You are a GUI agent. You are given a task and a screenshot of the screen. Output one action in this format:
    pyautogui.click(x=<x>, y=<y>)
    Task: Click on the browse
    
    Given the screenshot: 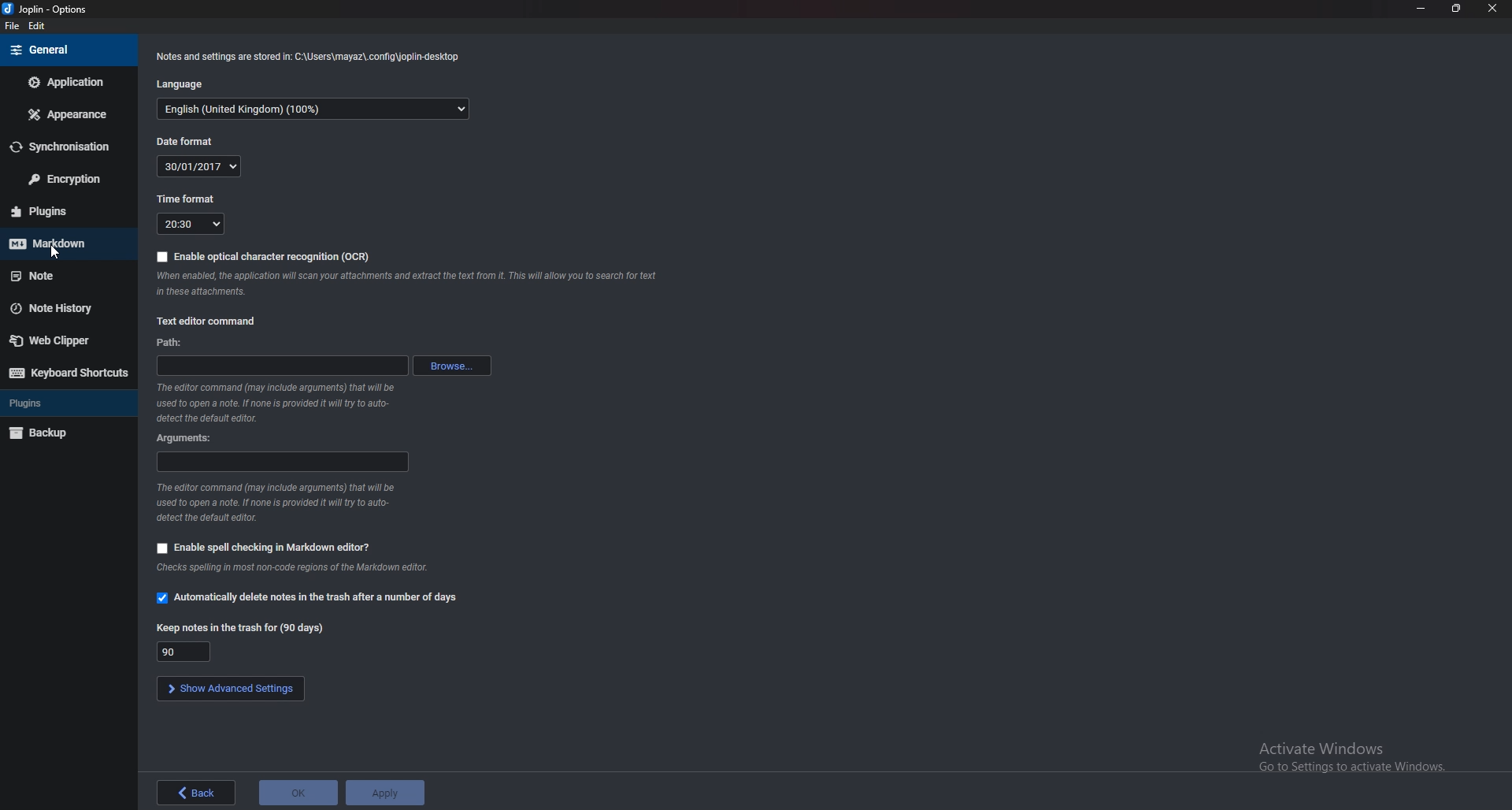 What is the action you would take?
    pyautogui.click(x=455, y=366)
    